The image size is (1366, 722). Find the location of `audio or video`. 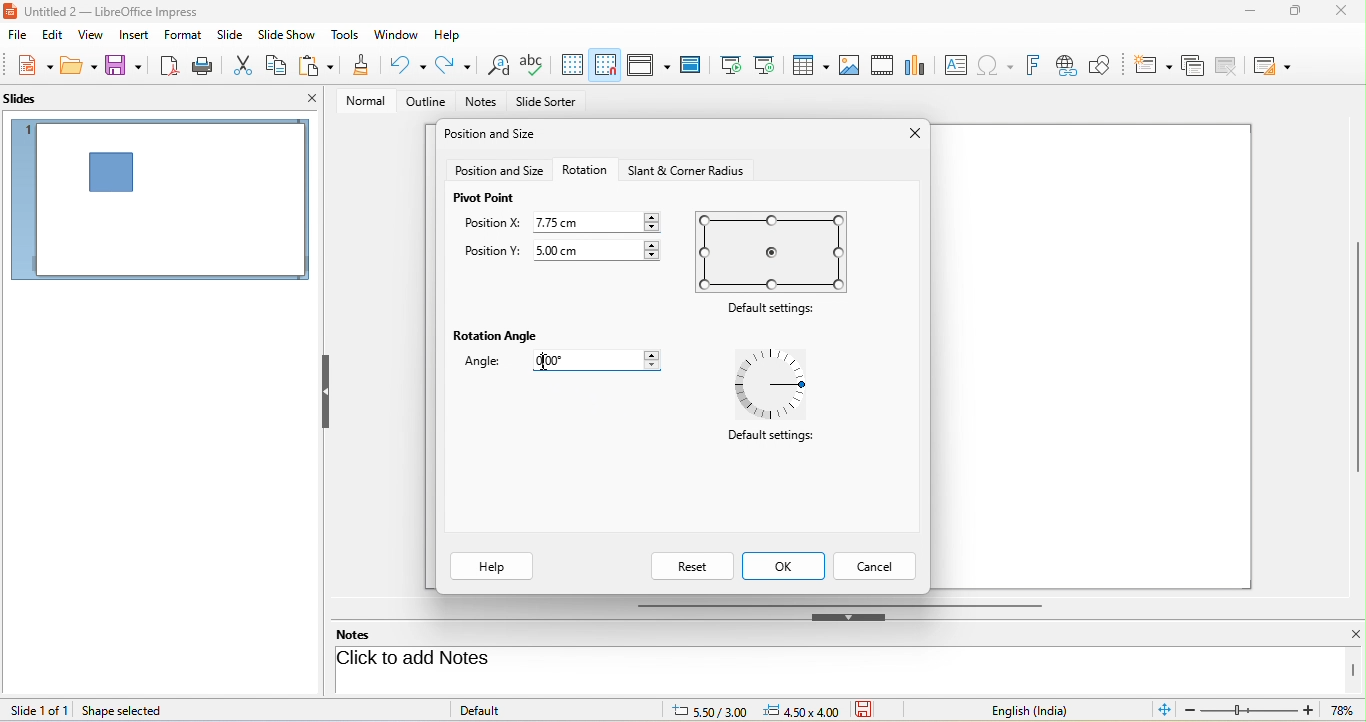

audio or video is located at coordinates (885, 67).